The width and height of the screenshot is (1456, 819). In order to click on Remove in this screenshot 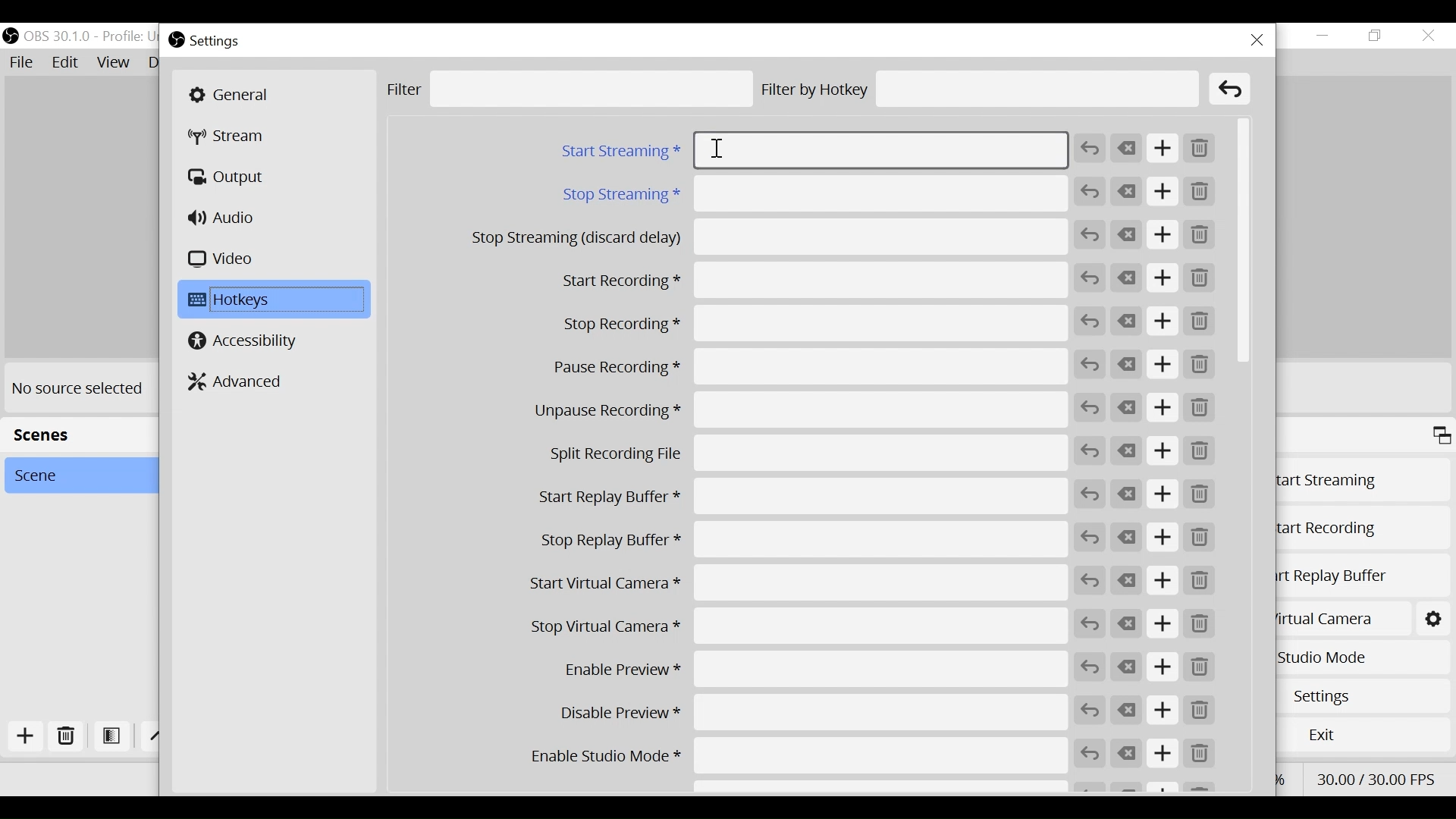, I will do `click(1202, 624)`.